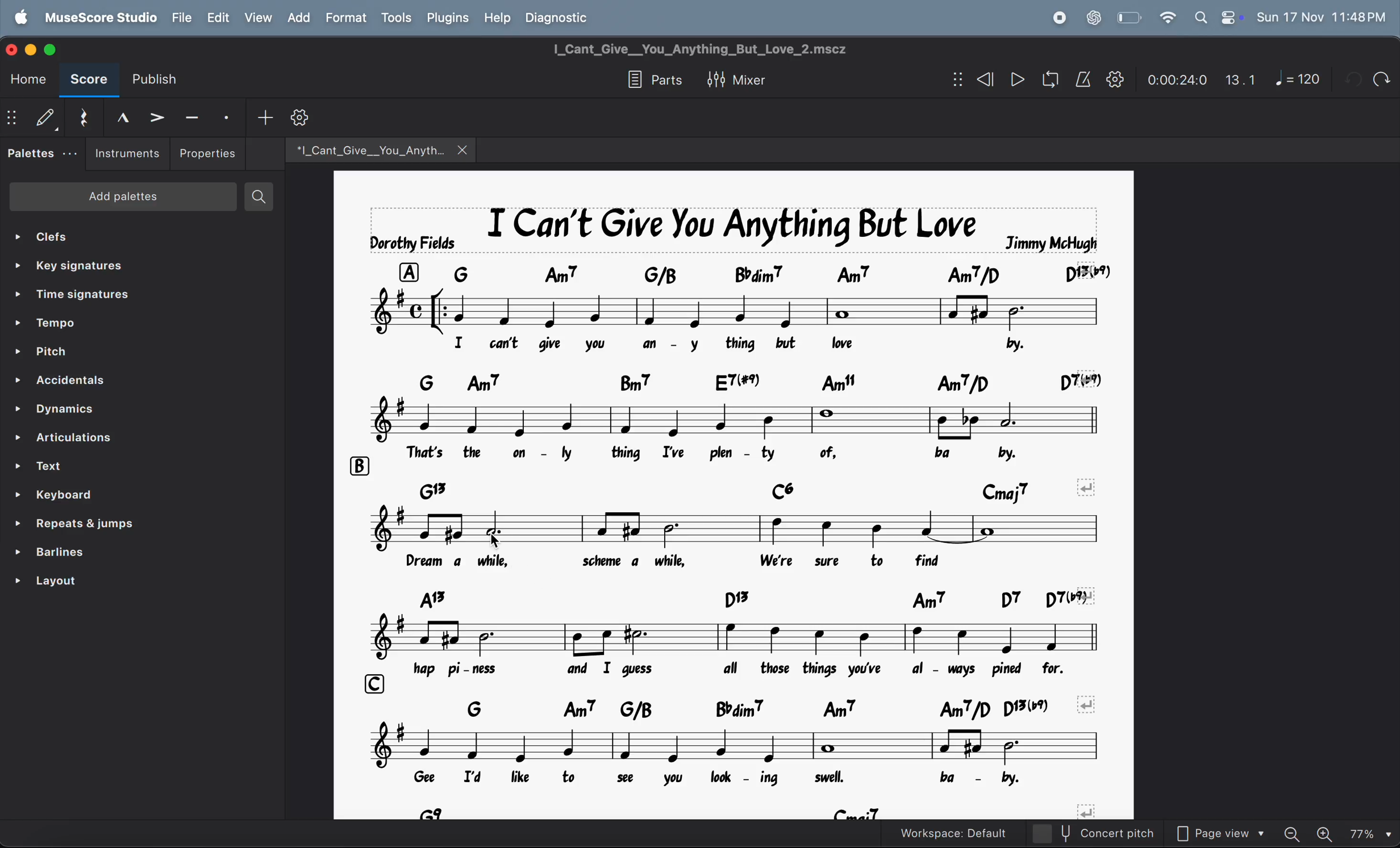 This screenshot has width=1400, height=848. What do you see at coordinates (649, 81) in the screenshot?
I see `parts` at bounding box center [649, 81].